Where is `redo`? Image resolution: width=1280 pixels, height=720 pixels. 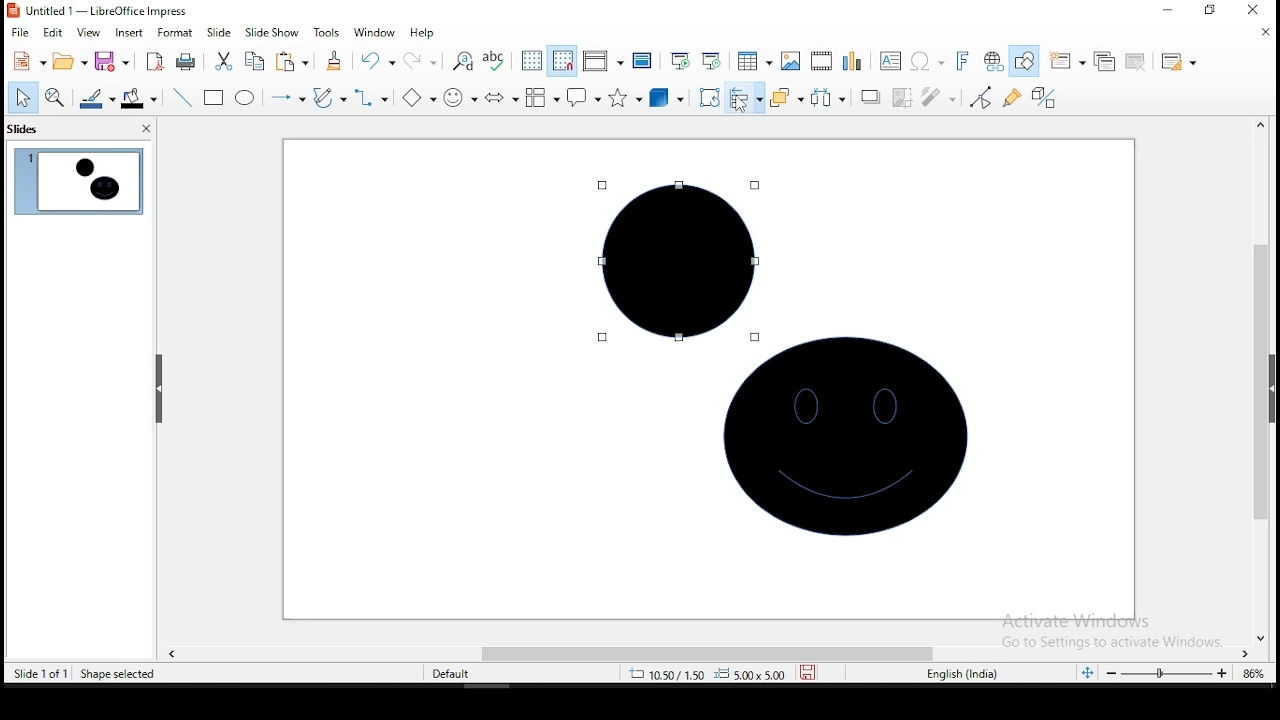 redo is located at coordinates (422, 61).